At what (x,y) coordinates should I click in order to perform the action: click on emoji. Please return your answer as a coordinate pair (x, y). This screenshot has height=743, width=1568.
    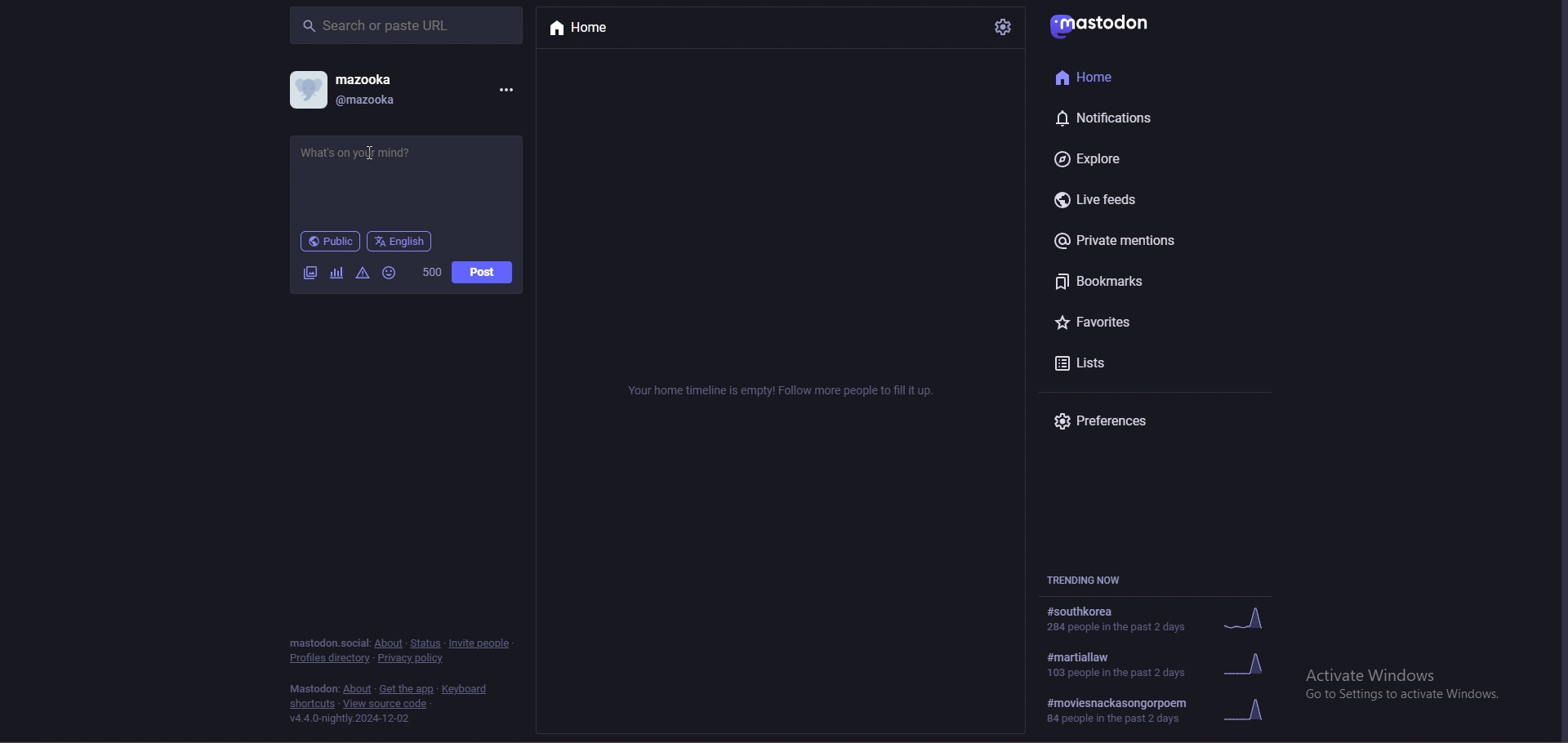
    Looking at the image, I should click on (393, 271).